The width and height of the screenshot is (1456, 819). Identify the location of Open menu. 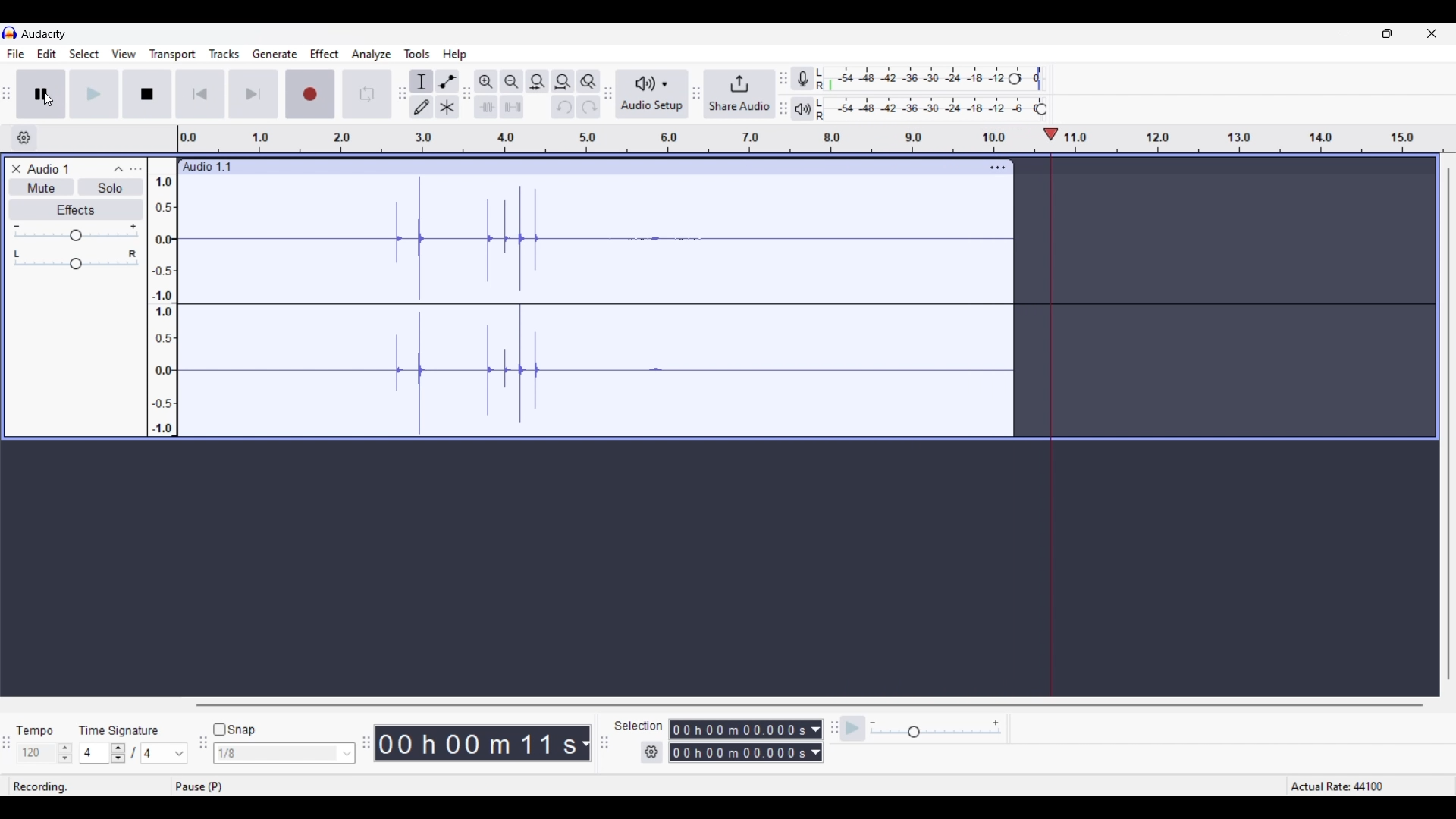
(135, 169).